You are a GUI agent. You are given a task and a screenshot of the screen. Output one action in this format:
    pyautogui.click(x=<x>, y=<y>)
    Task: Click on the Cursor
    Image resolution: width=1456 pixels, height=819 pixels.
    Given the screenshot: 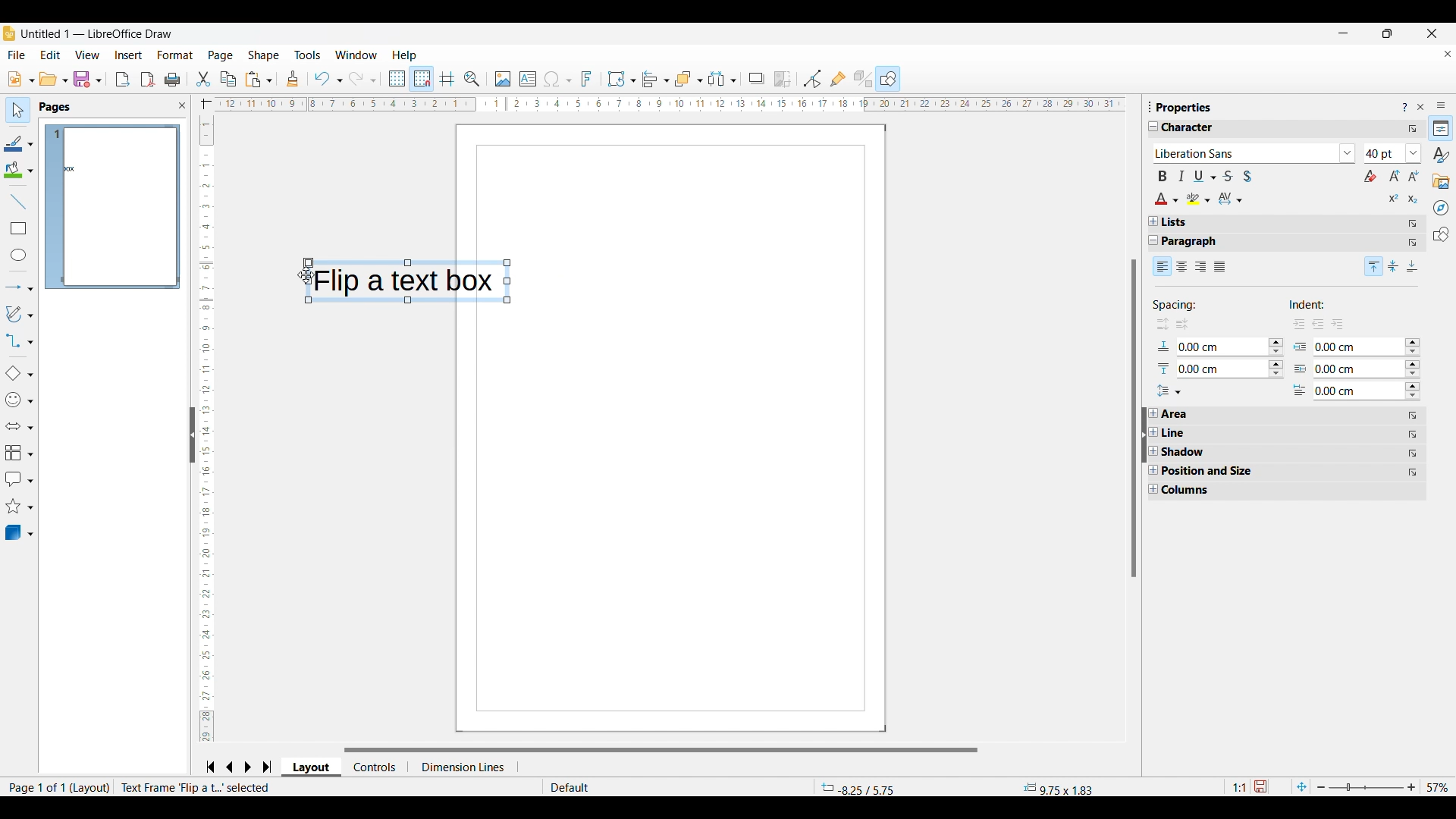 What is the action you would take?
    pyautogui.click(x=305, y=275)
    